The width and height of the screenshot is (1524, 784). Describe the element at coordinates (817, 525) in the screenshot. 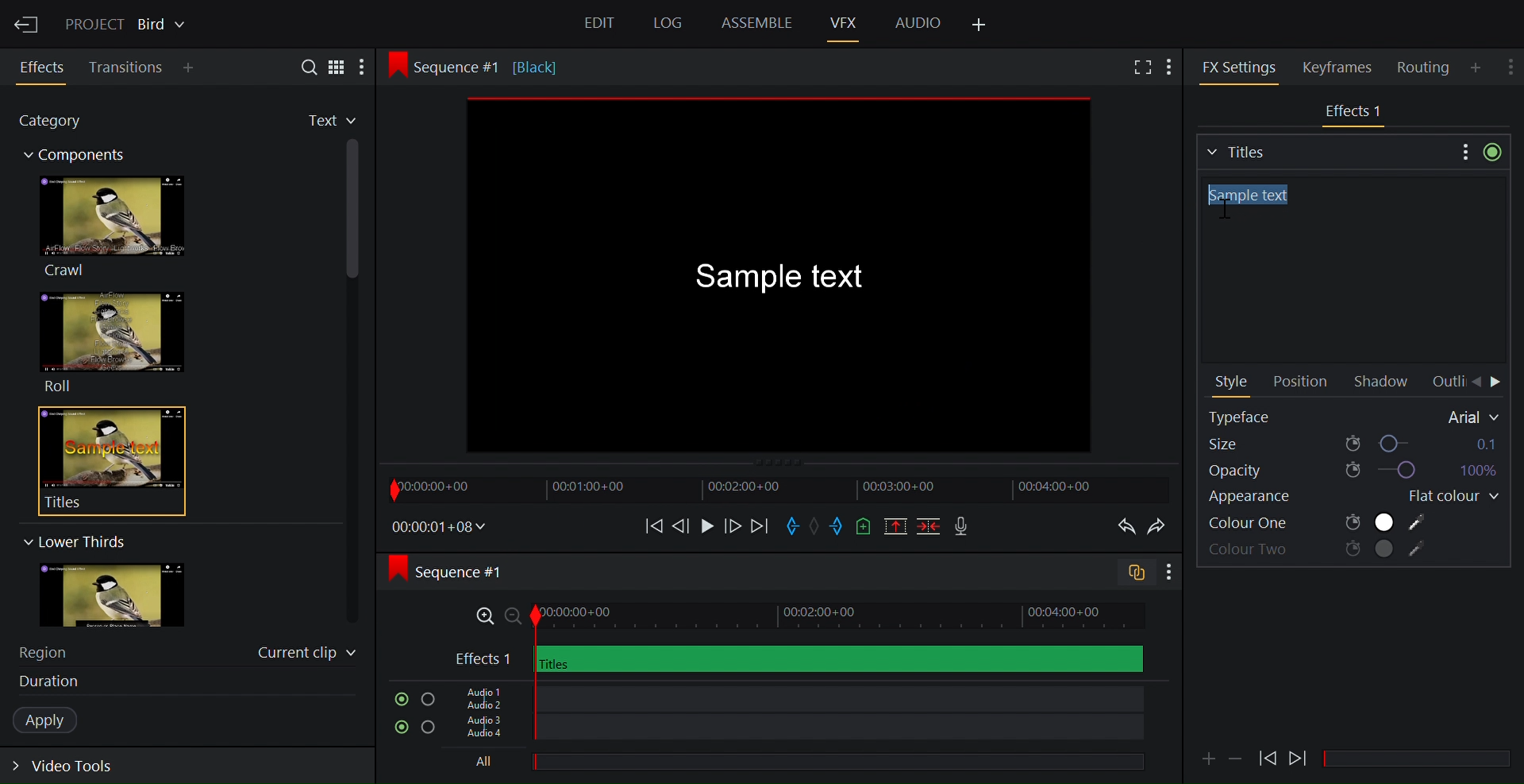

I see `Clear marks` at that location.